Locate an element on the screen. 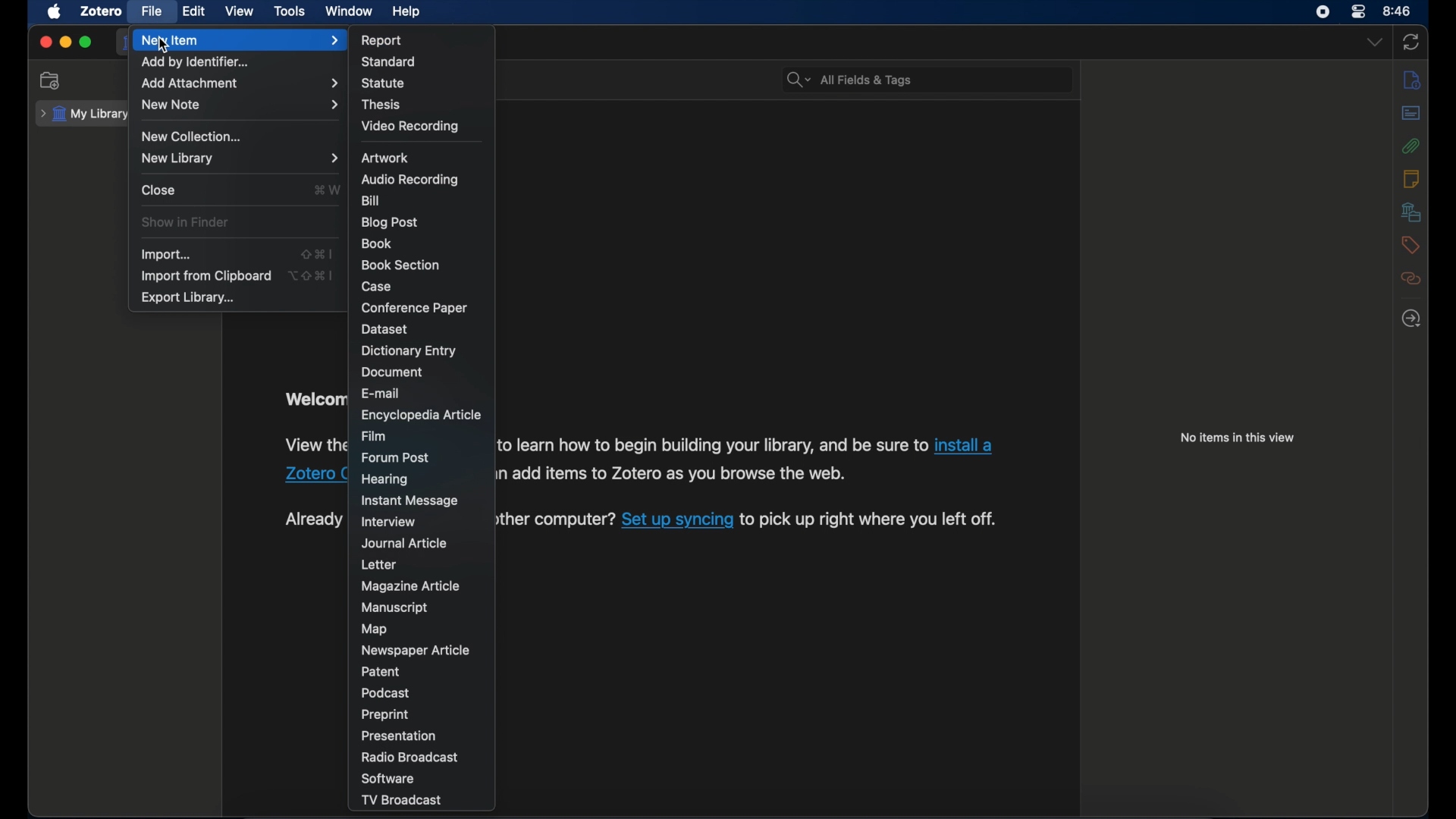  forum post is located at coordinates (397, 457).